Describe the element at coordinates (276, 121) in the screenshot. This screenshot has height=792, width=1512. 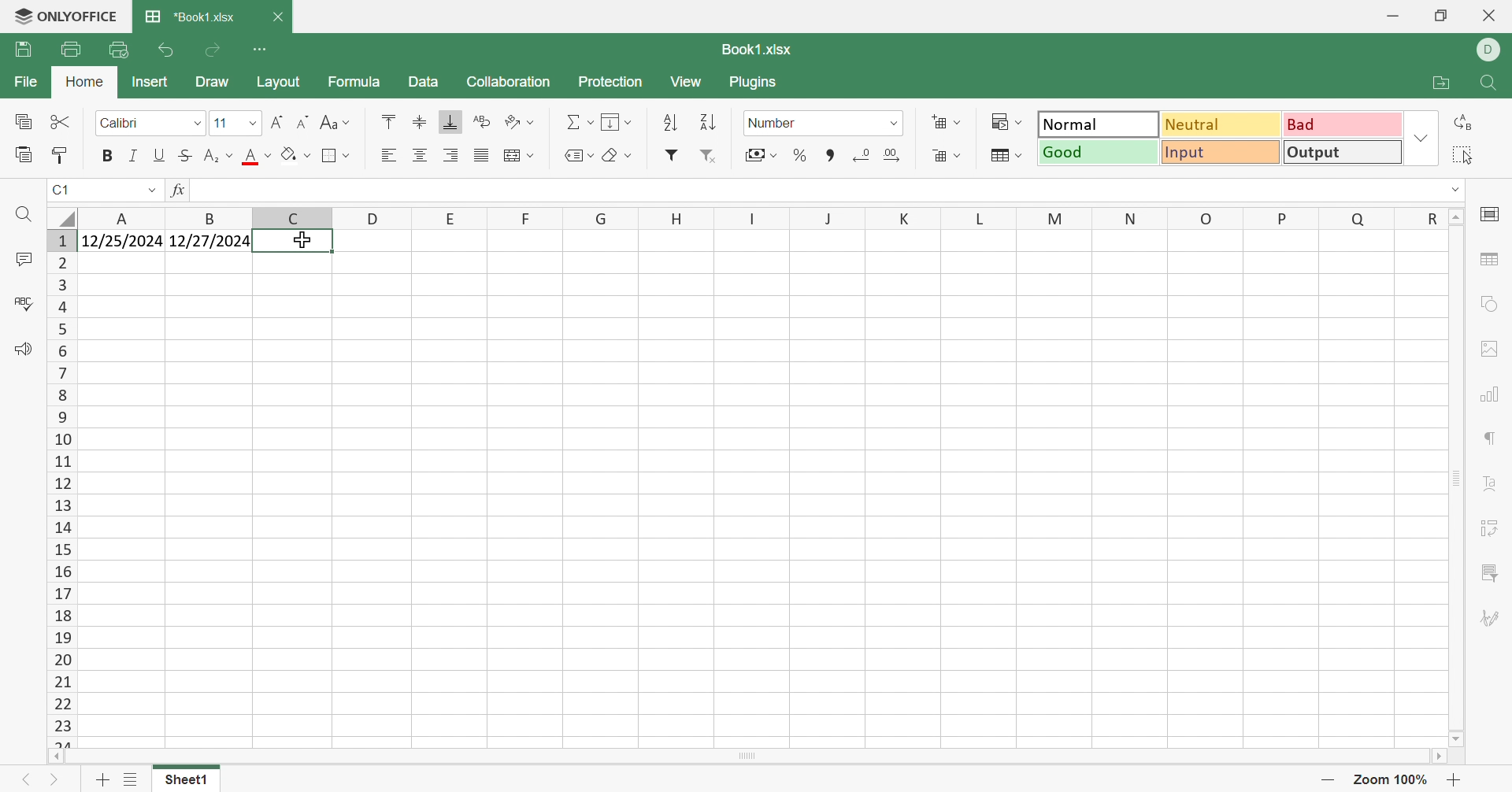
I see `Increment font size` at that location.